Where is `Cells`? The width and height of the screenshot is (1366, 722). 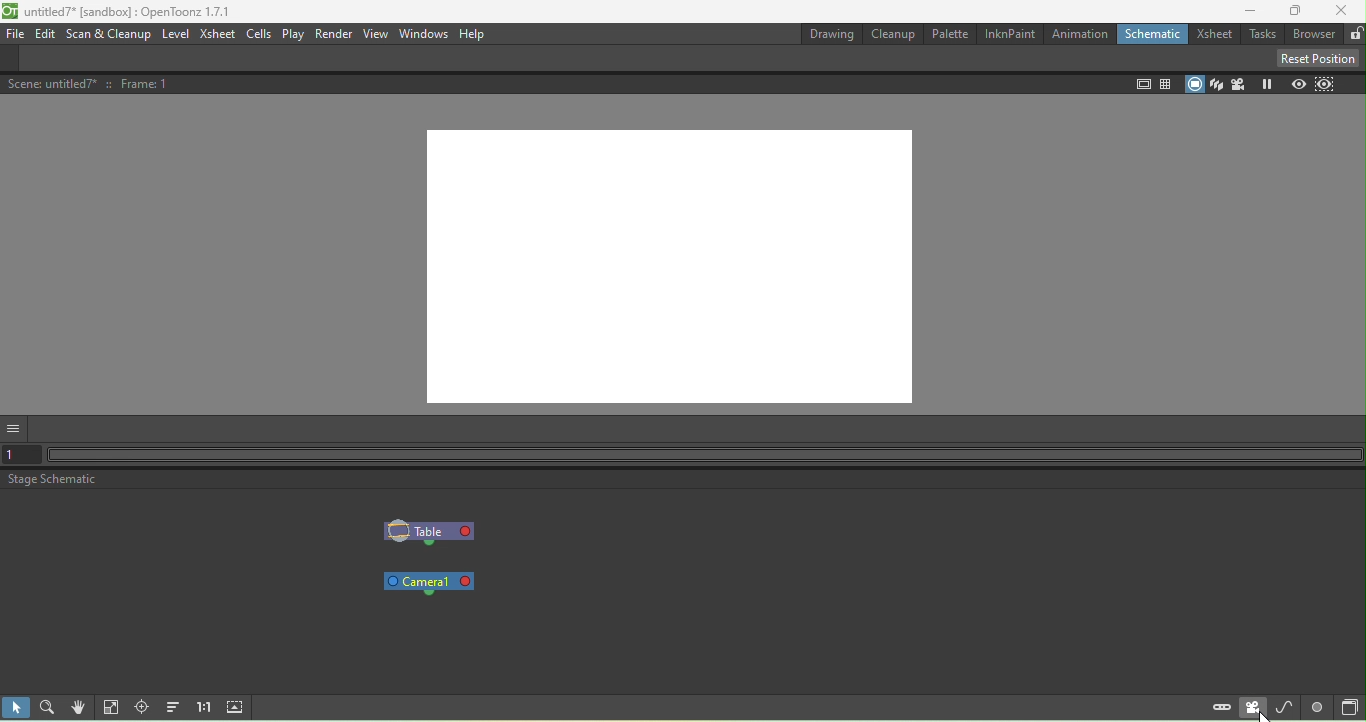 Cells is located at coordinates (258, 35).